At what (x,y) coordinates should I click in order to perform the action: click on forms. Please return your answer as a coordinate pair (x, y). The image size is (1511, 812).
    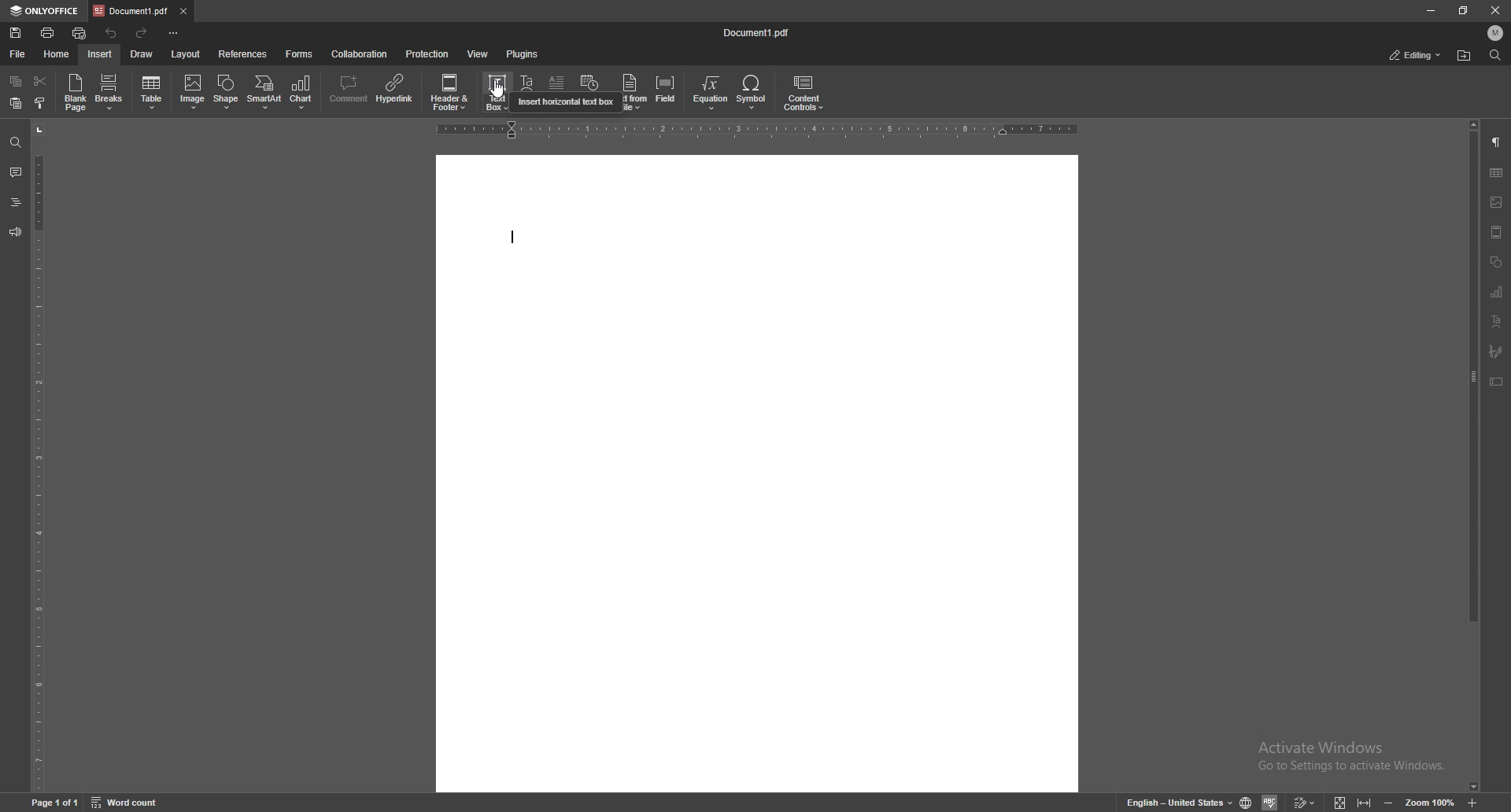
    Looking at the image, I should click on (301, 54).